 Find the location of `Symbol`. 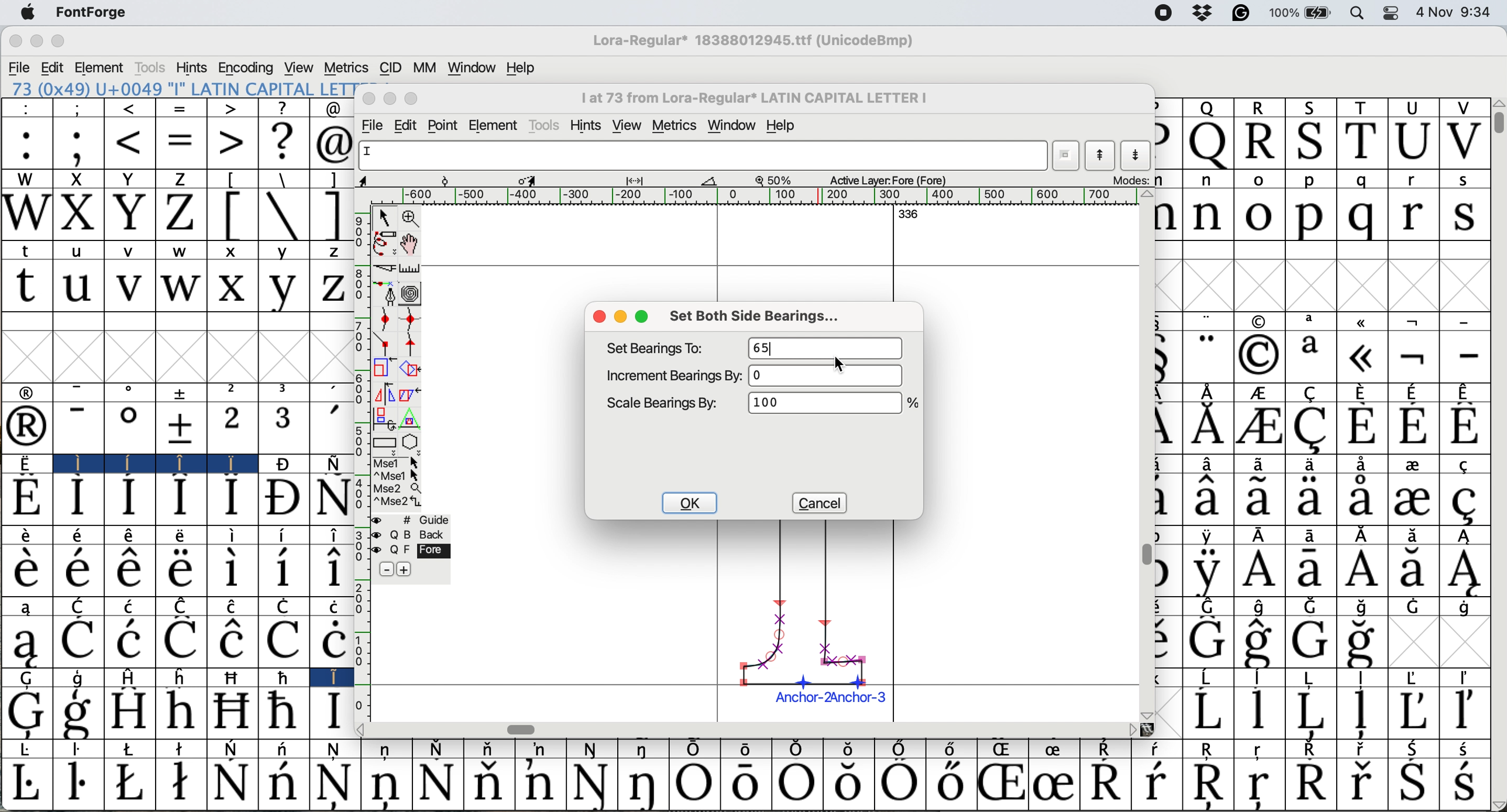

Symbol is located at coordinates (1258, 355).